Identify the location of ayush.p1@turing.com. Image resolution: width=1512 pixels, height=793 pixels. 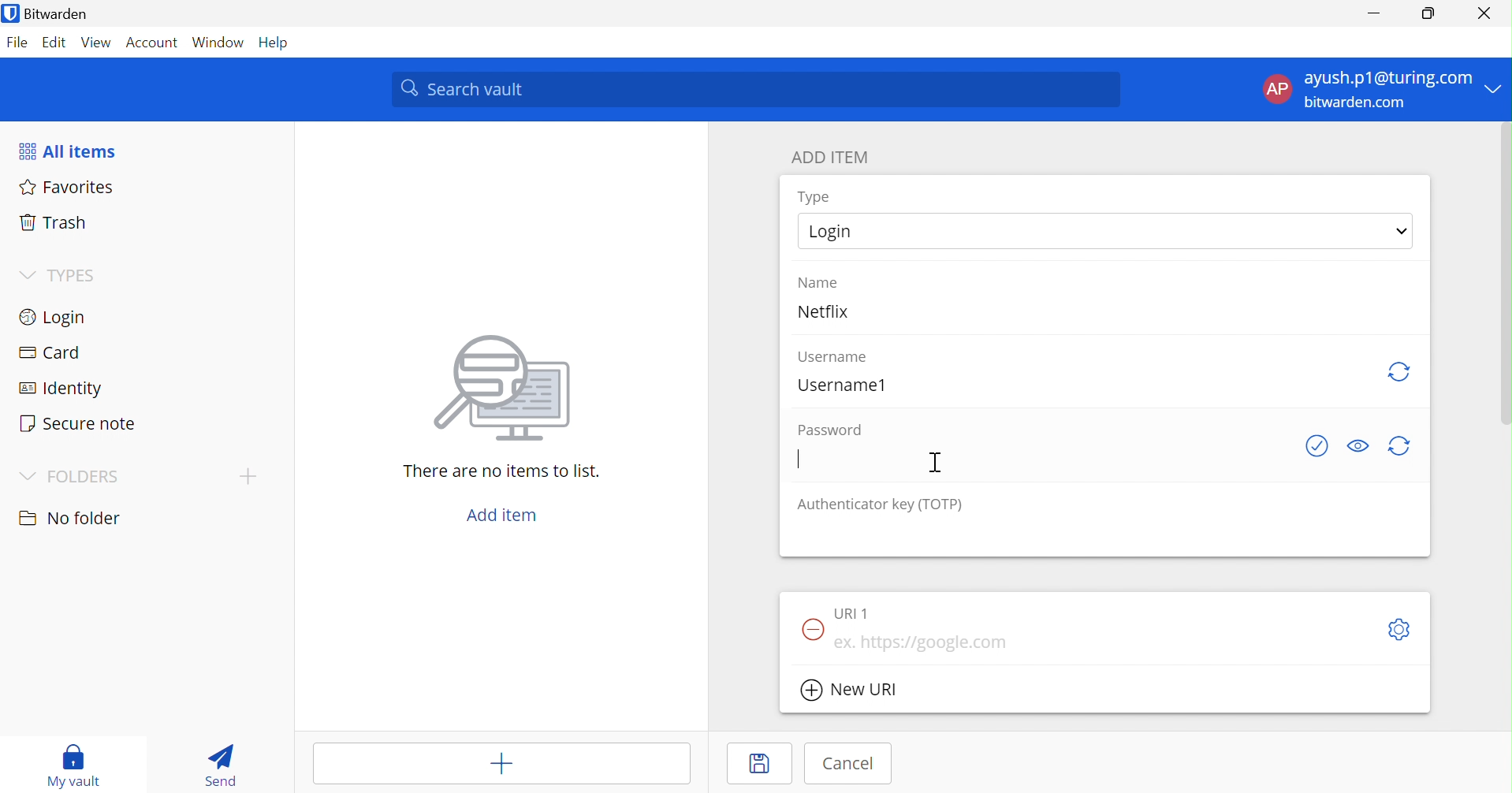
(1387, 76).